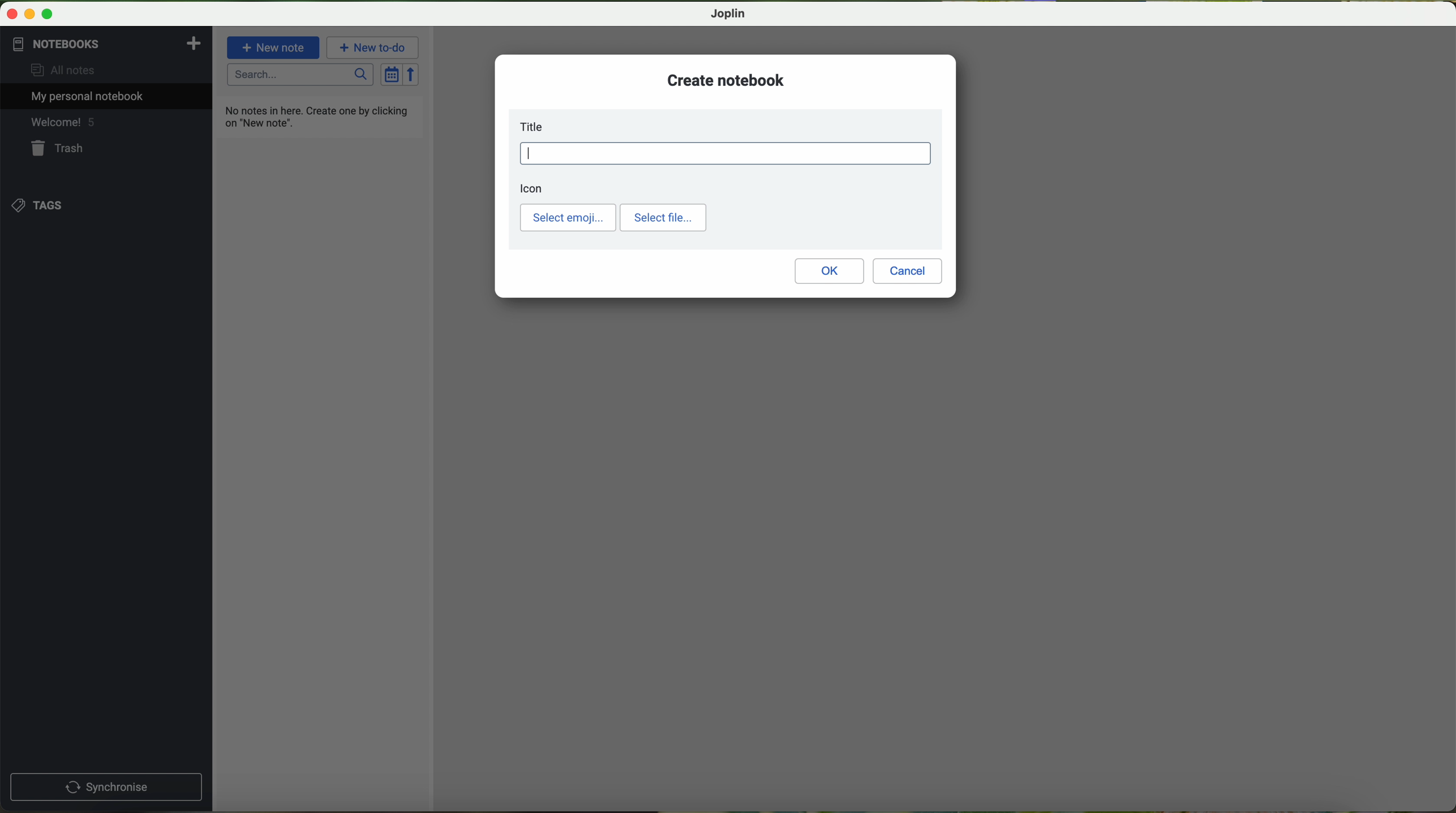  I want to click on trash, so click(58, 150).